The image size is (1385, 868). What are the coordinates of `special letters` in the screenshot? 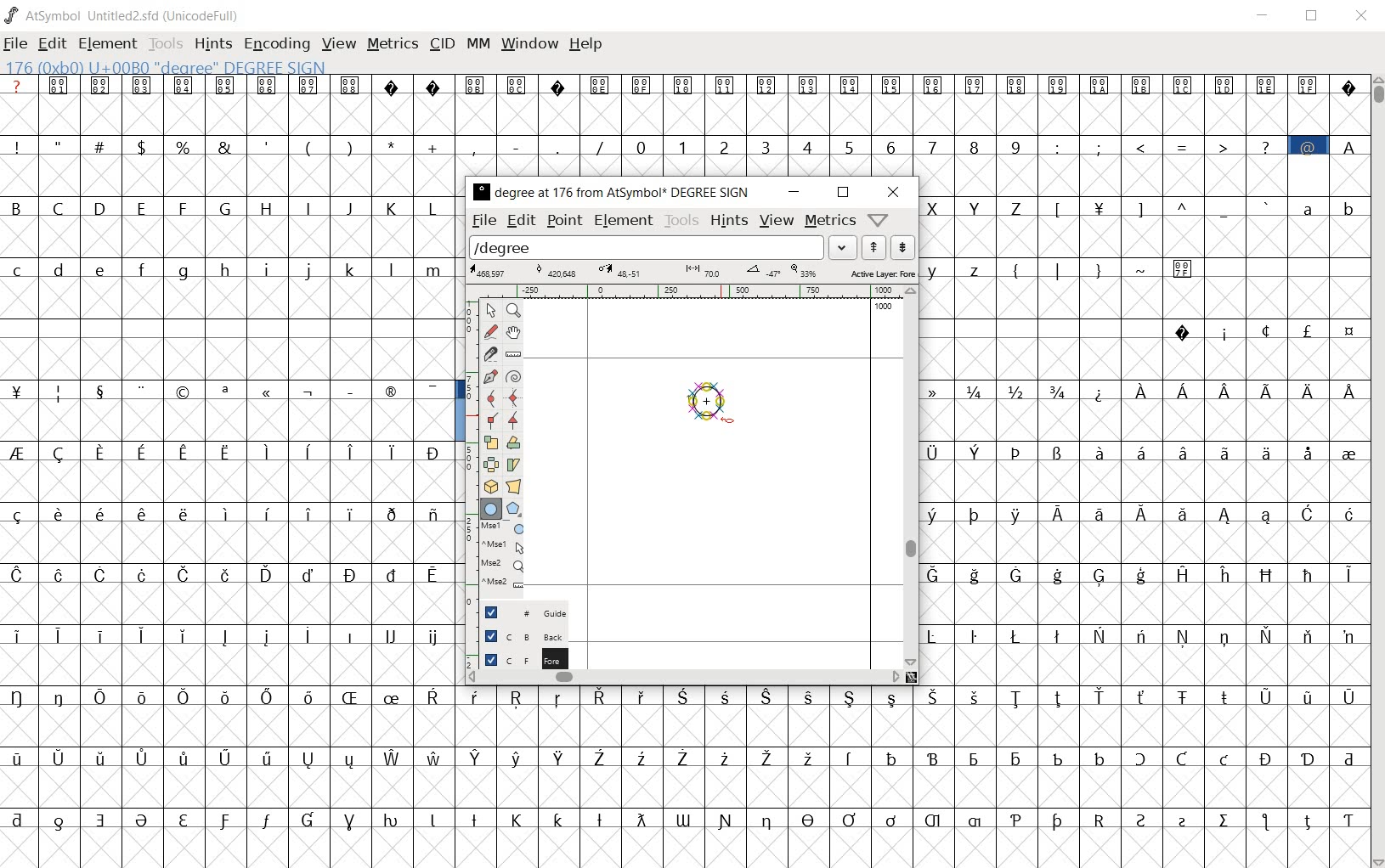 It's located at (233, 633).